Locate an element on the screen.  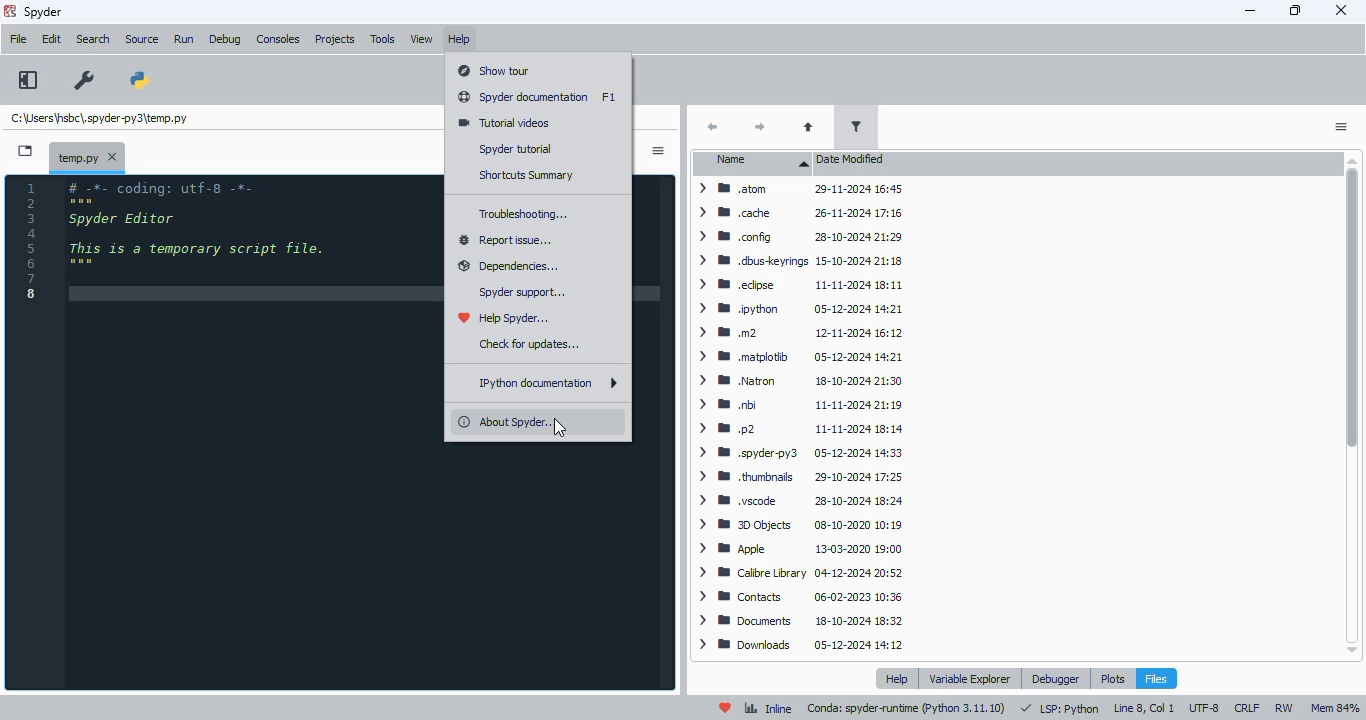
editor is located at coordinates (251, 434).